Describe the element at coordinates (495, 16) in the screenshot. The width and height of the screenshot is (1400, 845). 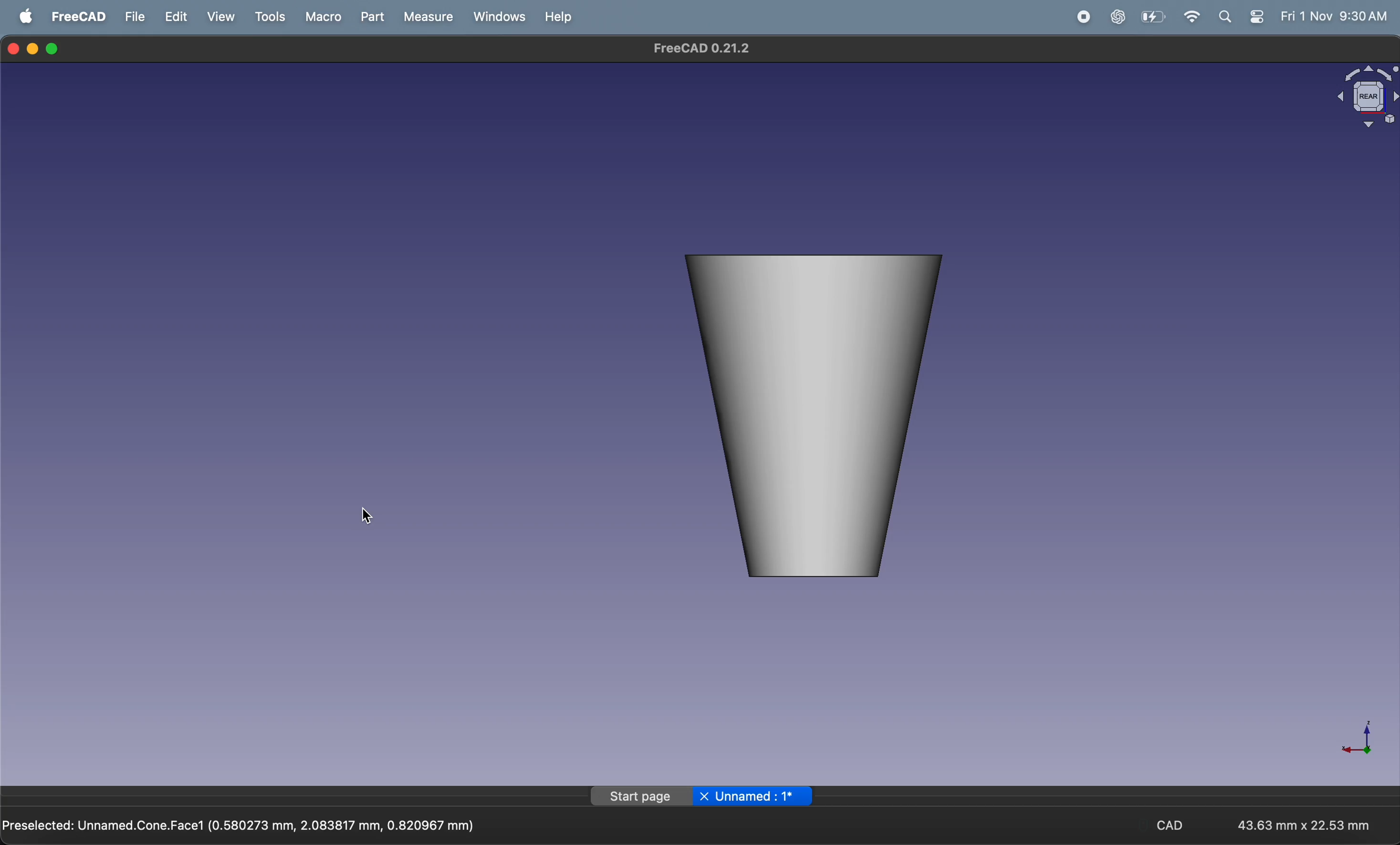
I see `windows` at that location.